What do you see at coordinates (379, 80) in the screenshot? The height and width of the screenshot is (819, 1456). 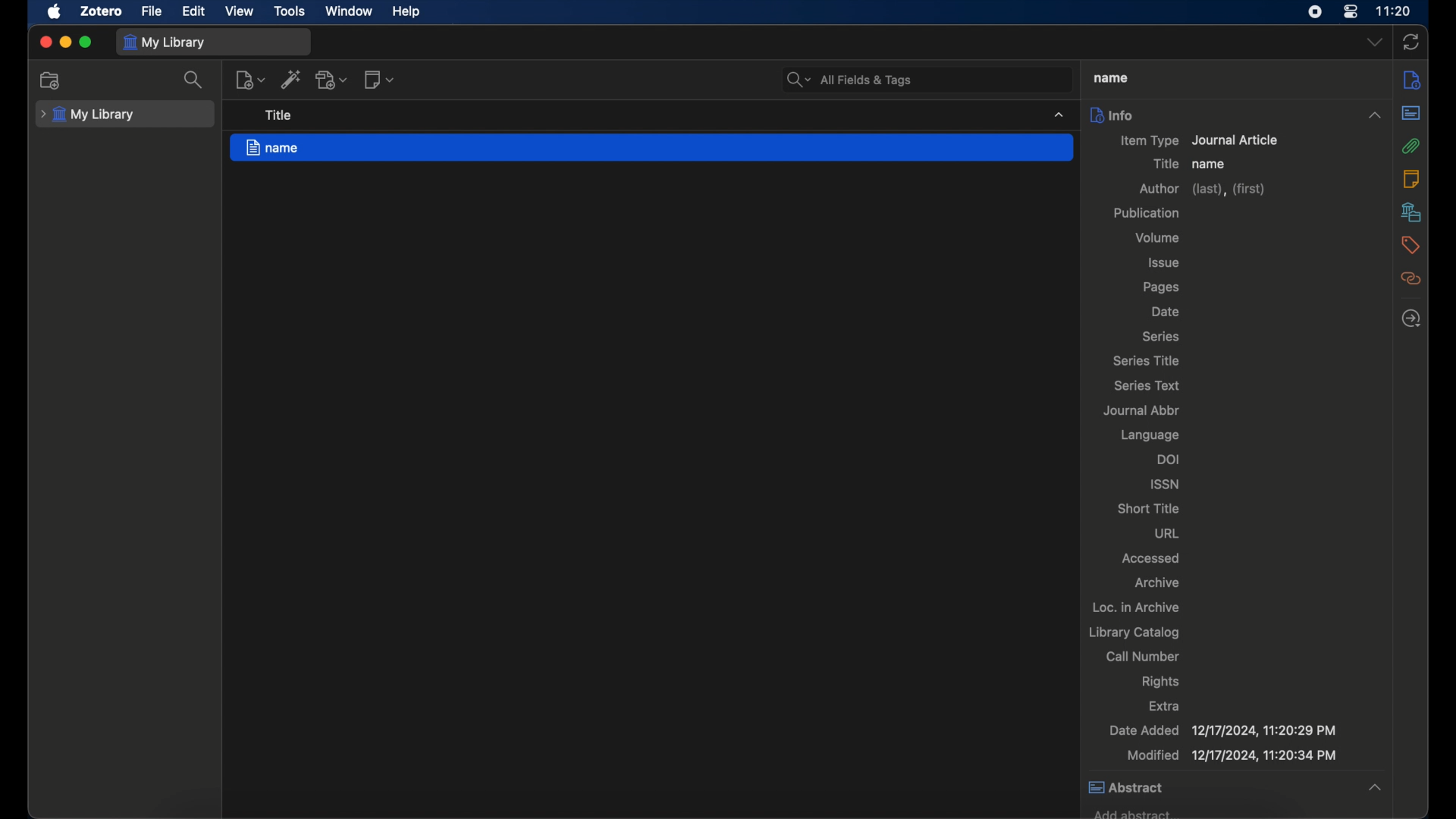 I see `add note` at bounding box center [379, 80].